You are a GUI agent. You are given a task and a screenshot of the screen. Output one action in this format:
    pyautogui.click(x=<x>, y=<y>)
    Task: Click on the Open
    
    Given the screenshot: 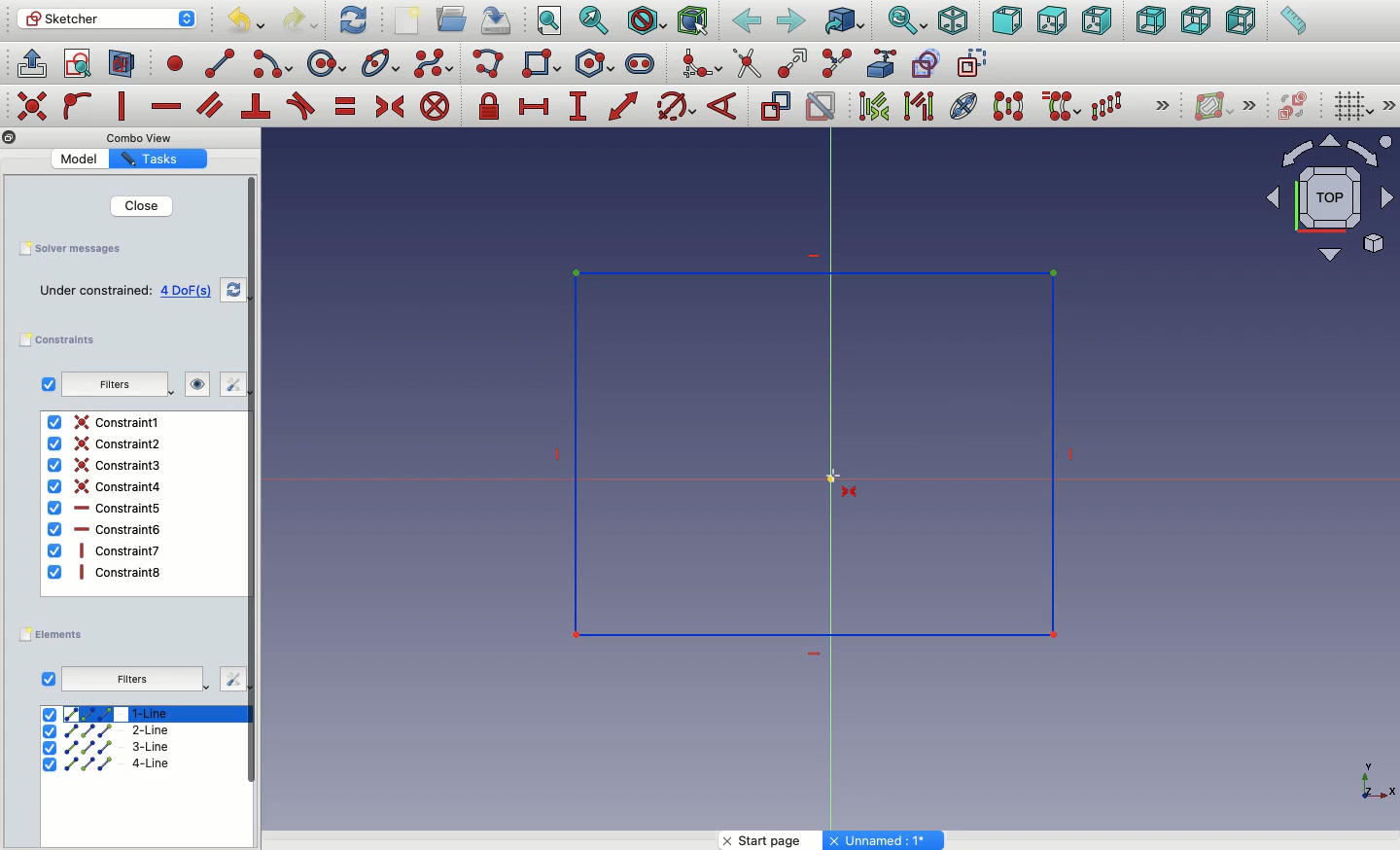 What is the action you would take?
    pyautogui.click(x=454, y=19)
    